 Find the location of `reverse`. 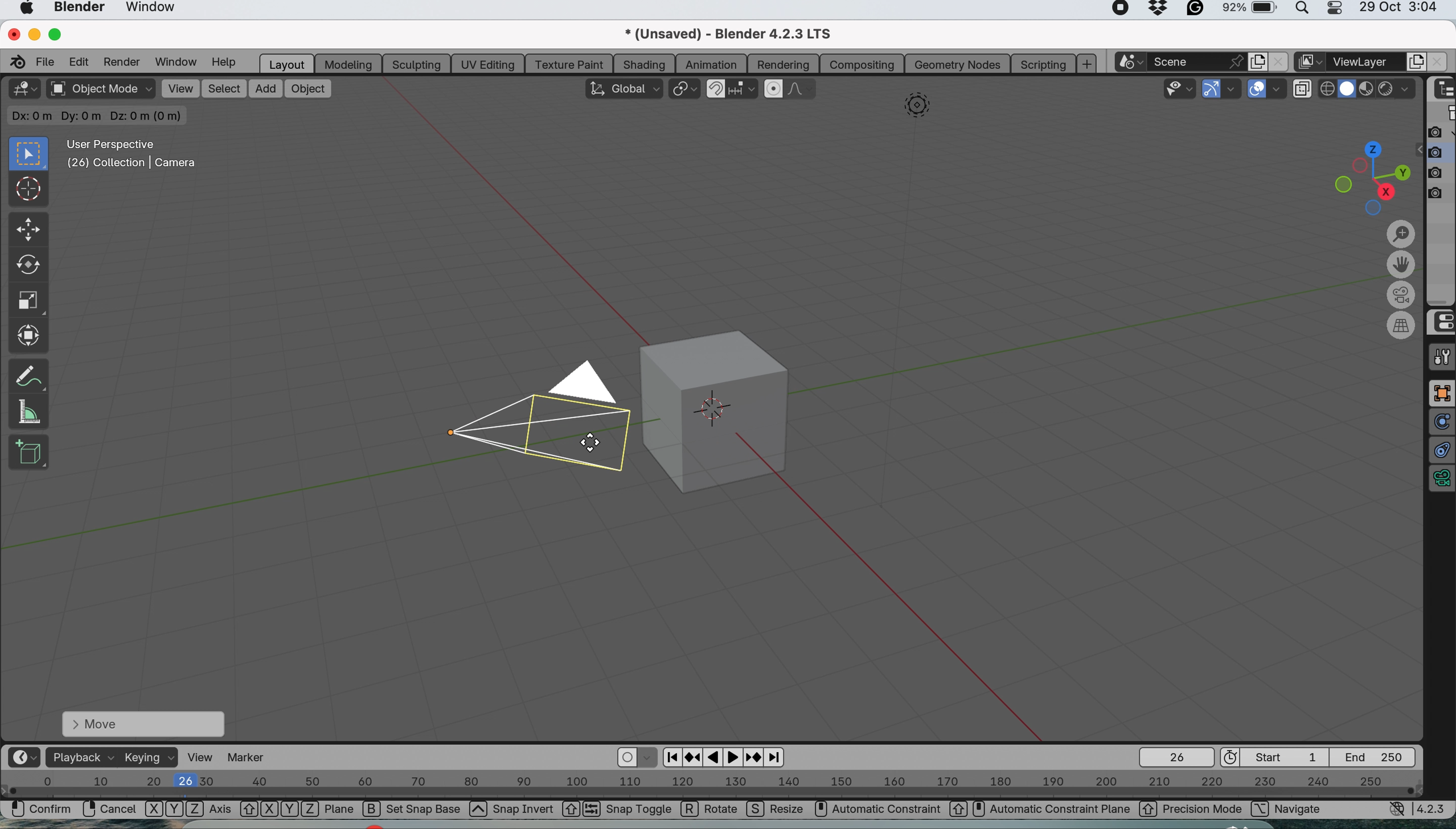

reverse is located at coordinates (693, 756).